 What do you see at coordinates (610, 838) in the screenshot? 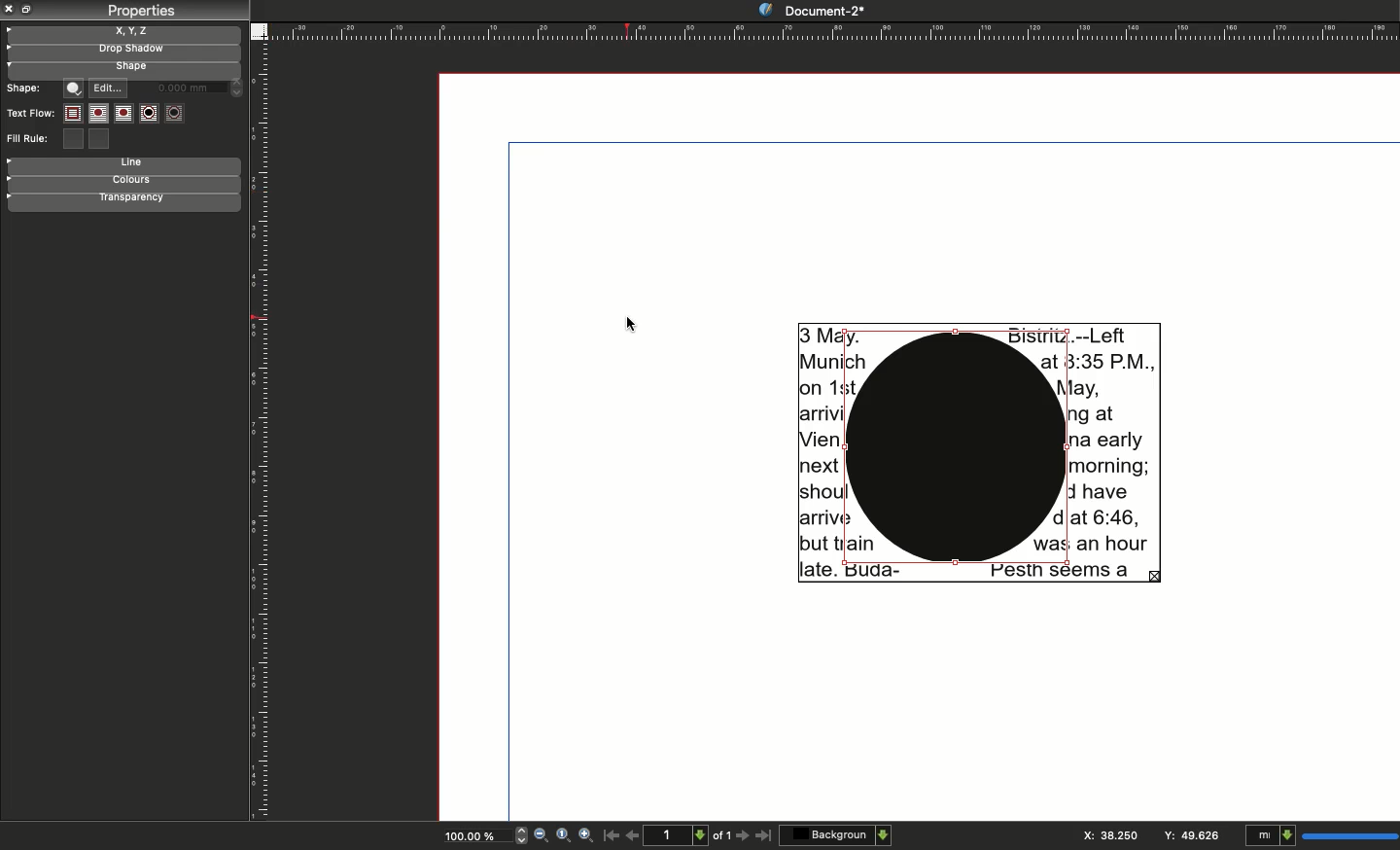
I see `First page` at bounding box center [610, 838].